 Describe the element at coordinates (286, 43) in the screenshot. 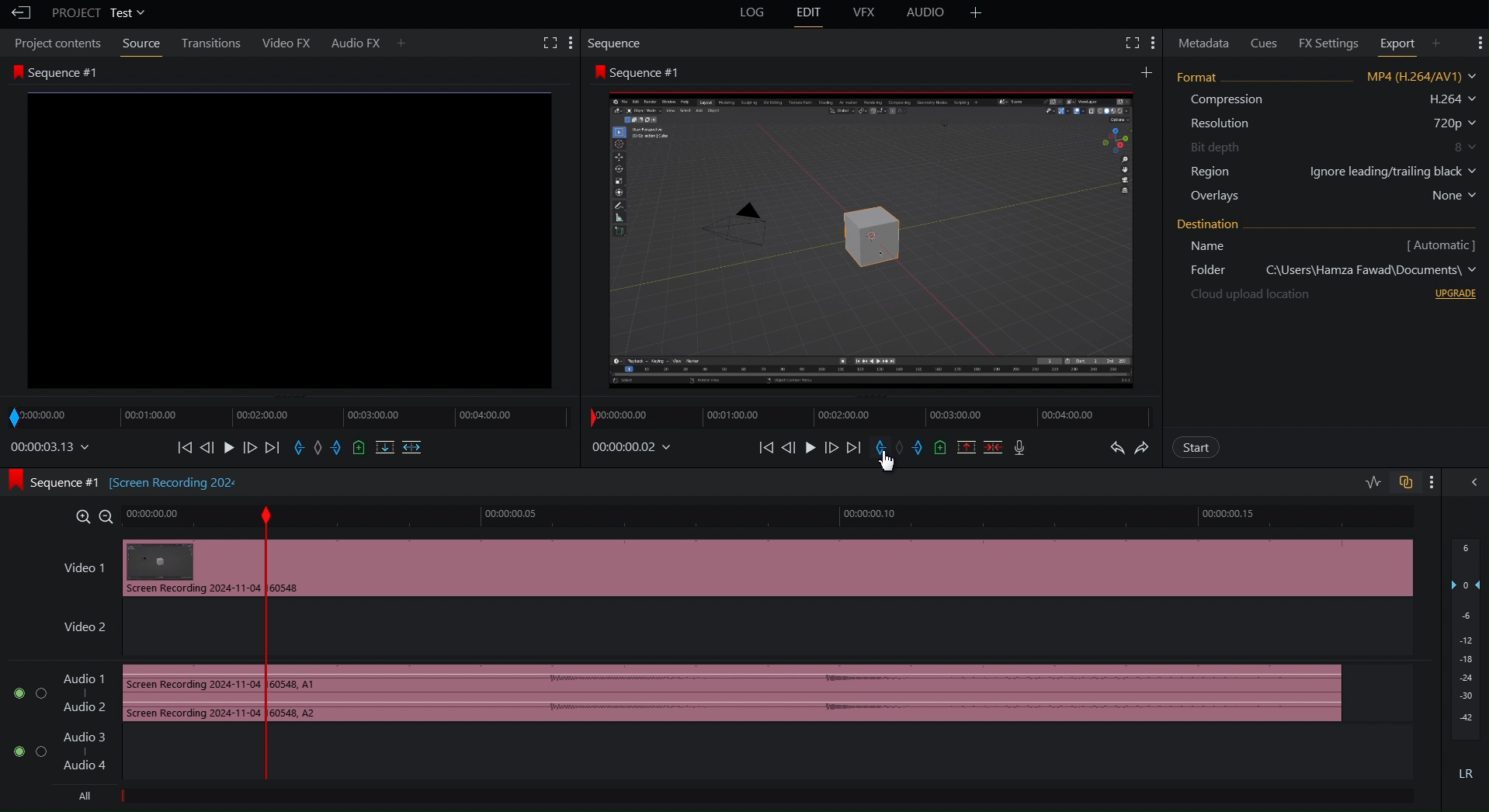

I see `Video FX` at that location.